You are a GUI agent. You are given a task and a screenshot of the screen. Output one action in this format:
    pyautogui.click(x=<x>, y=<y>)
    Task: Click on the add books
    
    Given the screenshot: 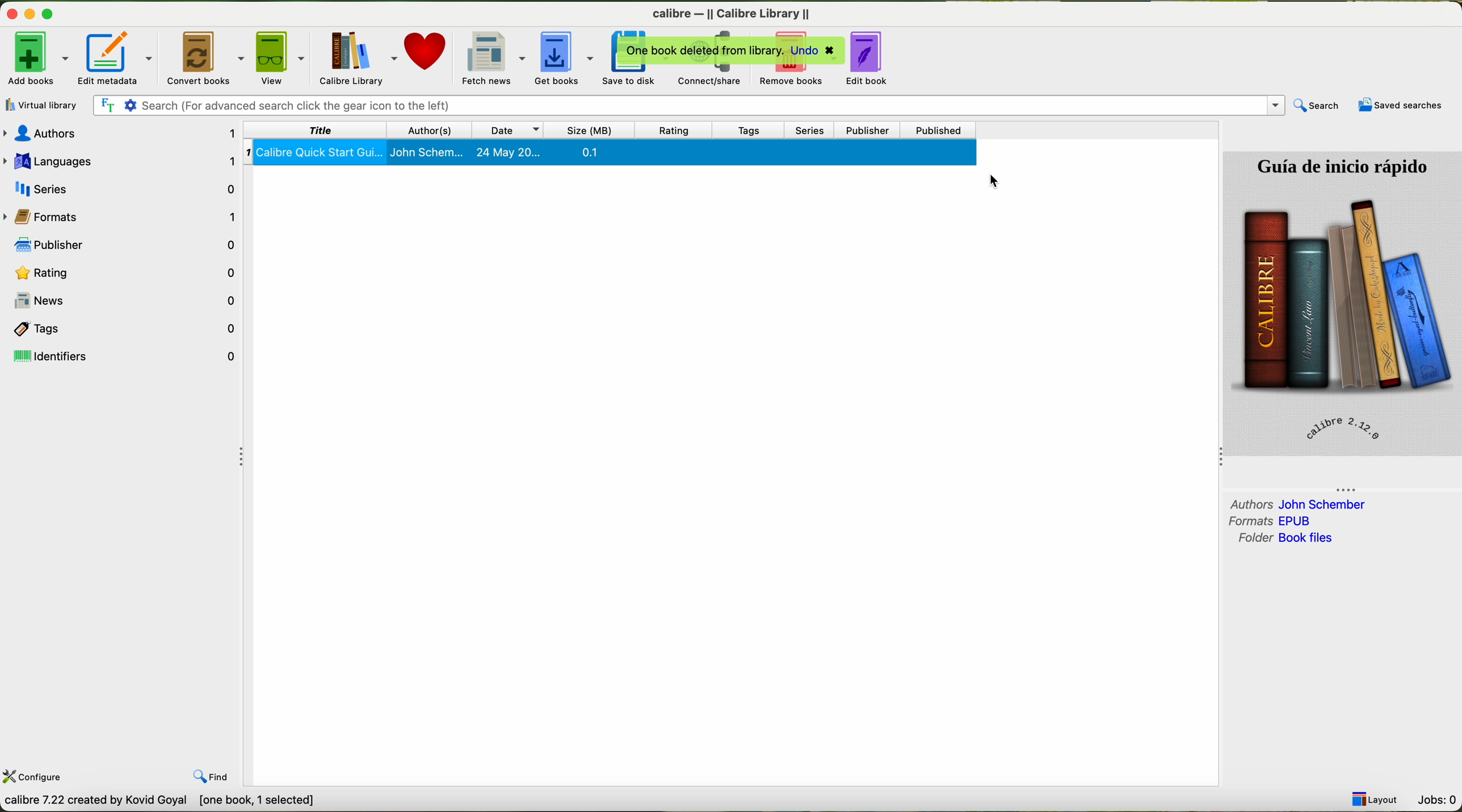 What is the action you would take?
    pyautogui.click(x=35, y=59)
    